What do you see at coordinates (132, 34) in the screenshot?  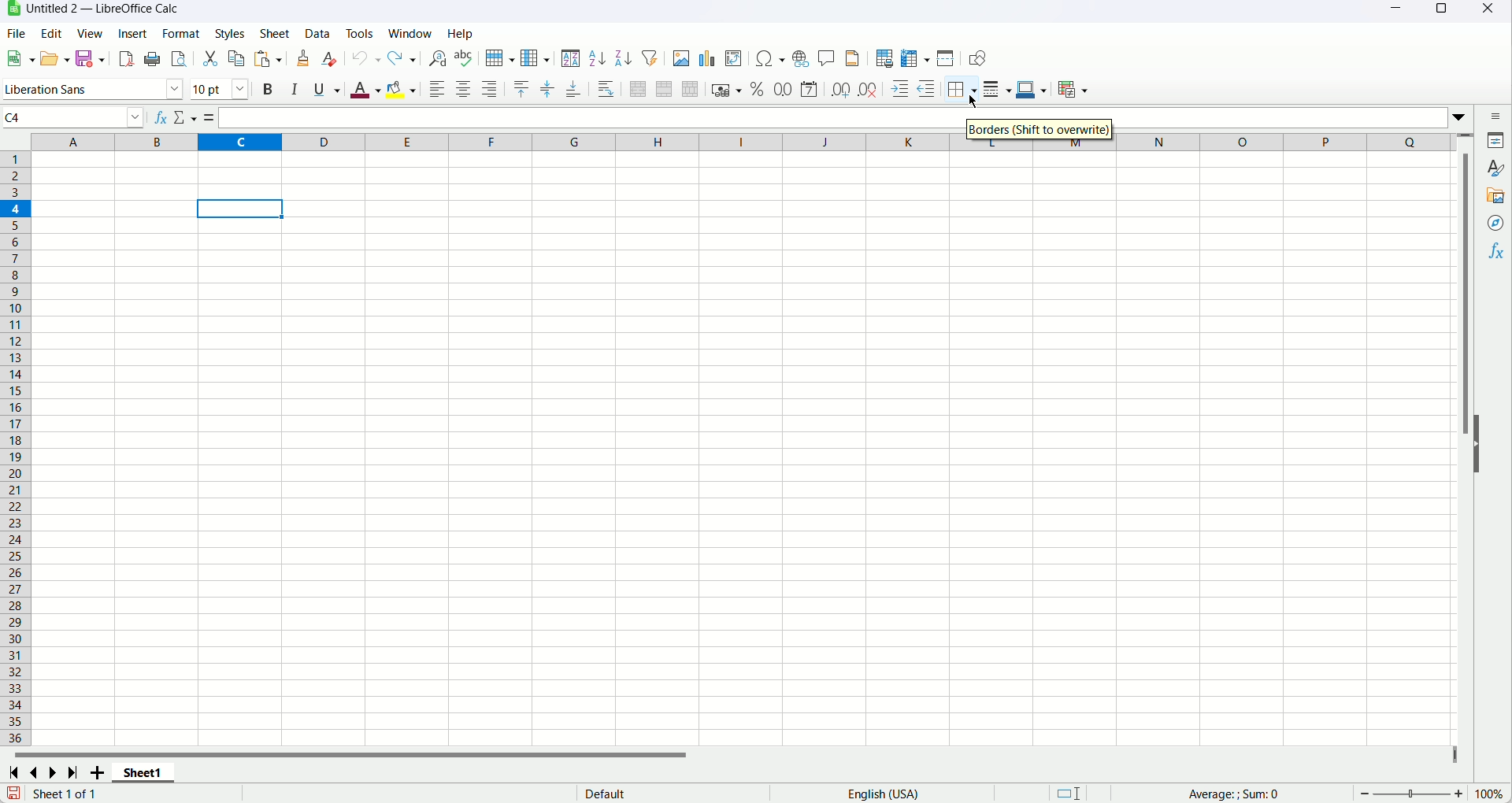 I see `Insert` at bounding box center [132, 34].